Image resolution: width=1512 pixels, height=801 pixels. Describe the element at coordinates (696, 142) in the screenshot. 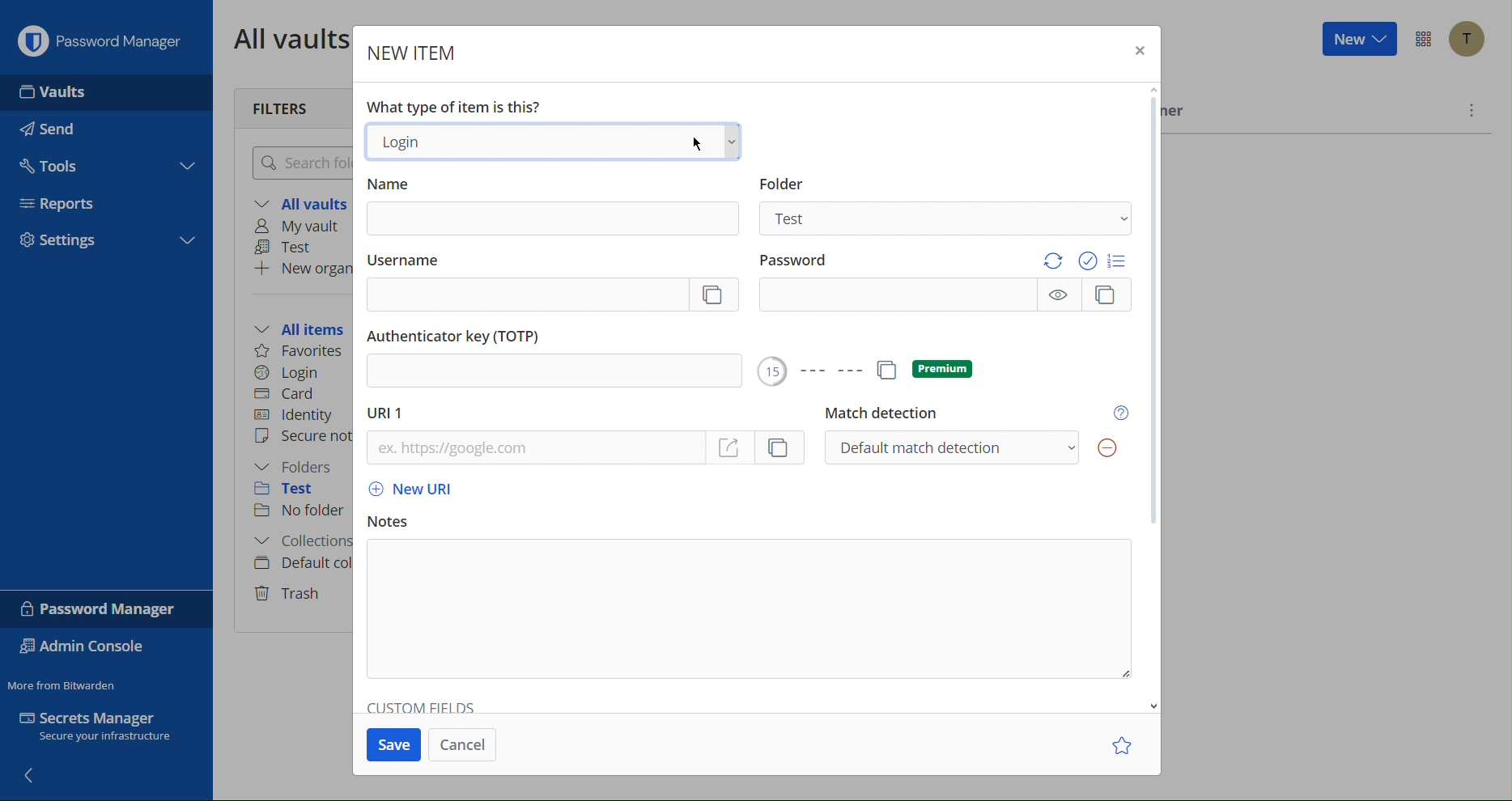

I see `Cursor` at that location.